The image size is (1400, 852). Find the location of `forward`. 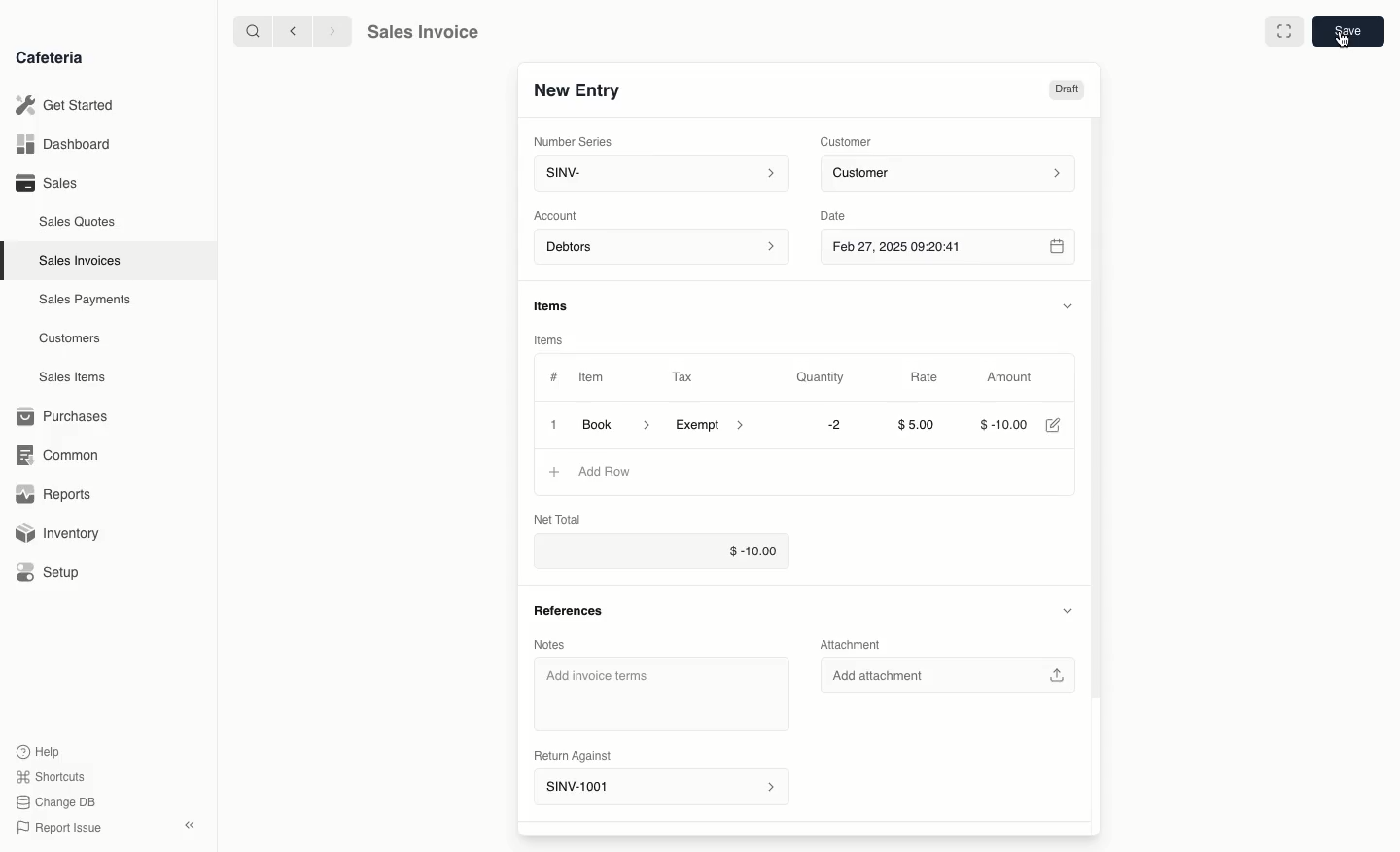

forward is located at coordinates (334, 31).